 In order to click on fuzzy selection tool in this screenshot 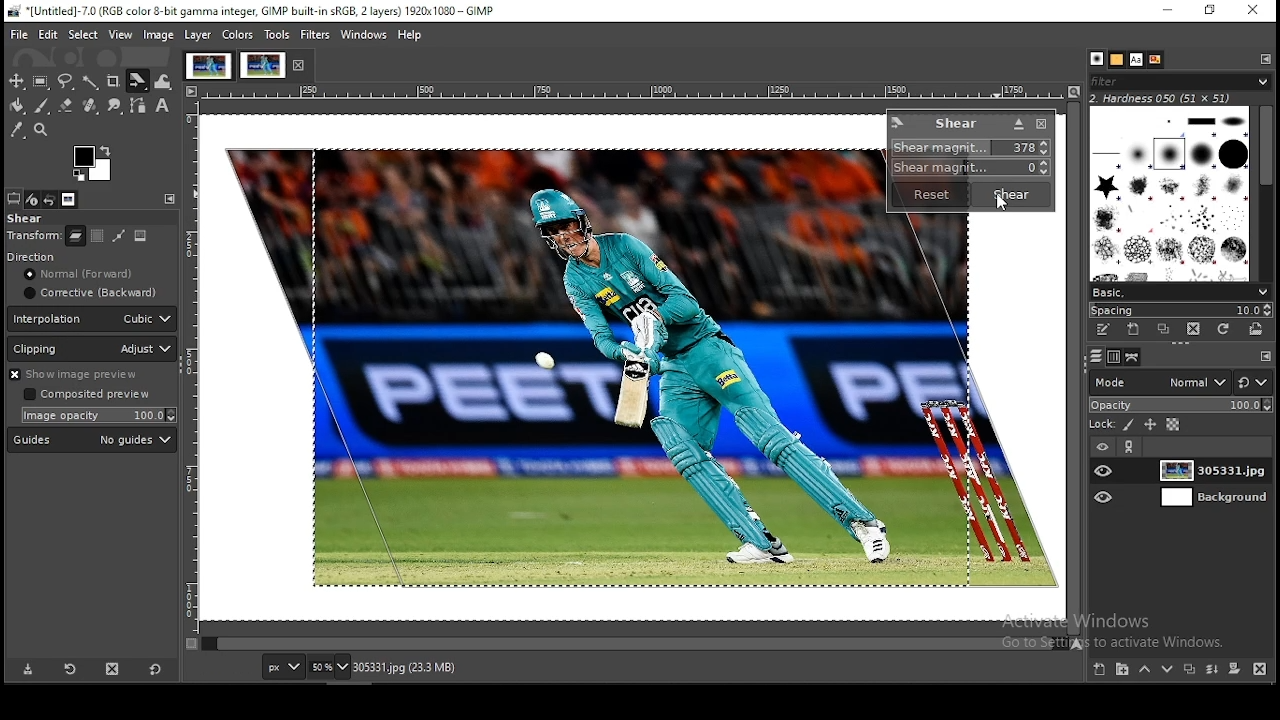, I will do `click(93, 83)`.